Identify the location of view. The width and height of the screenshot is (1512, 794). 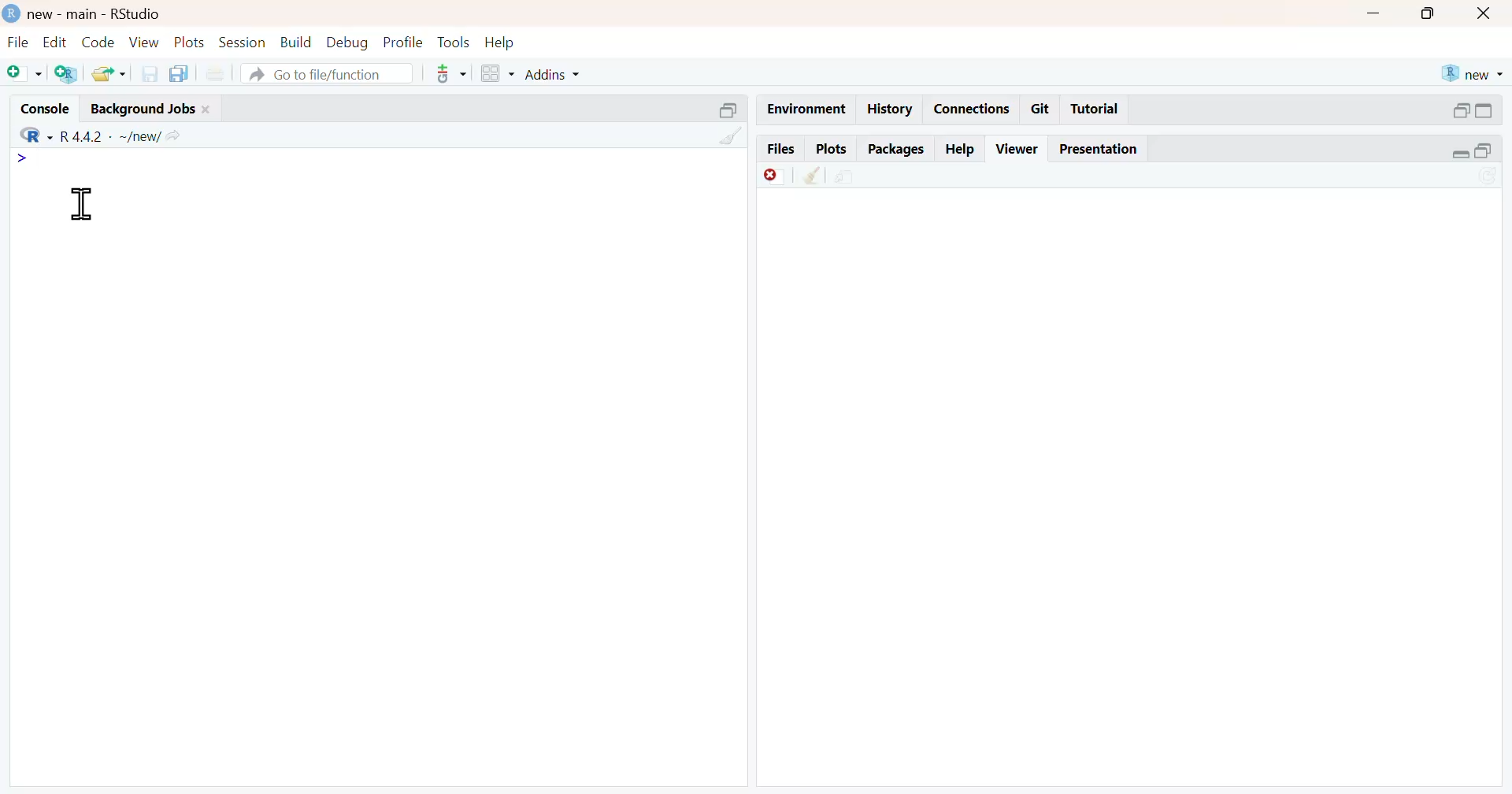
(145, 43).